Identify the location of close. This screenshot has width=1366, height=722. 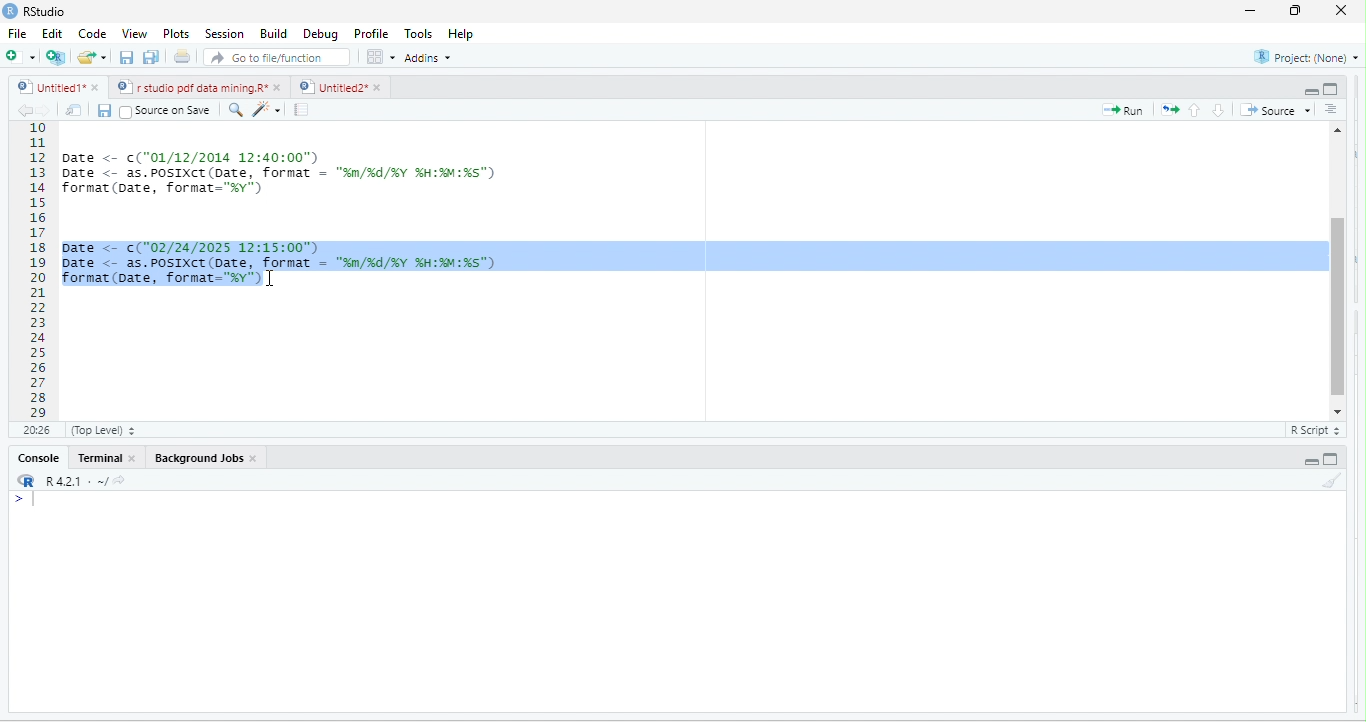
(281, 87).